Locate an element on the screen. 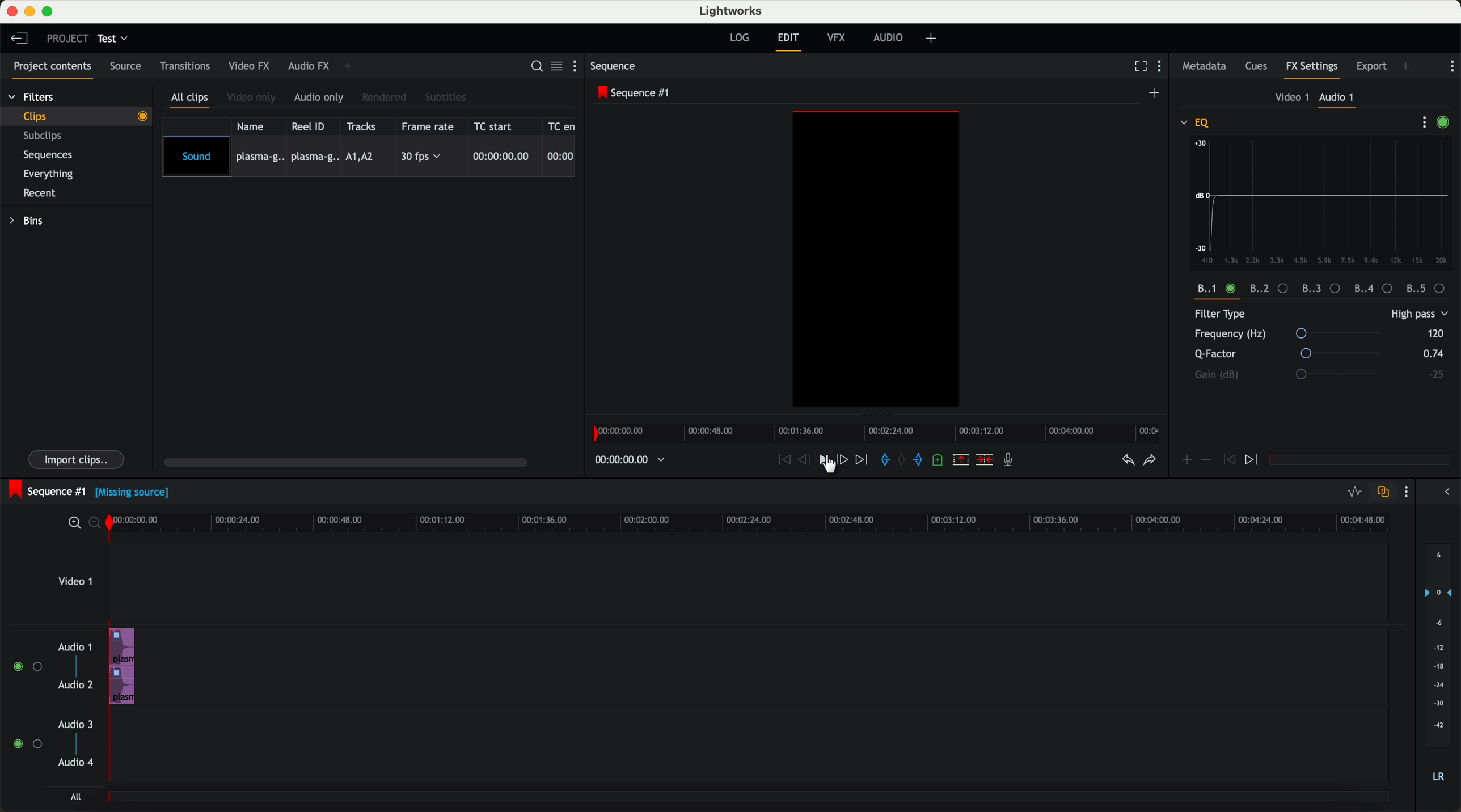 The height and width of the screenshot is (812, 1461). add out mark is located at coordinates (922, 461).